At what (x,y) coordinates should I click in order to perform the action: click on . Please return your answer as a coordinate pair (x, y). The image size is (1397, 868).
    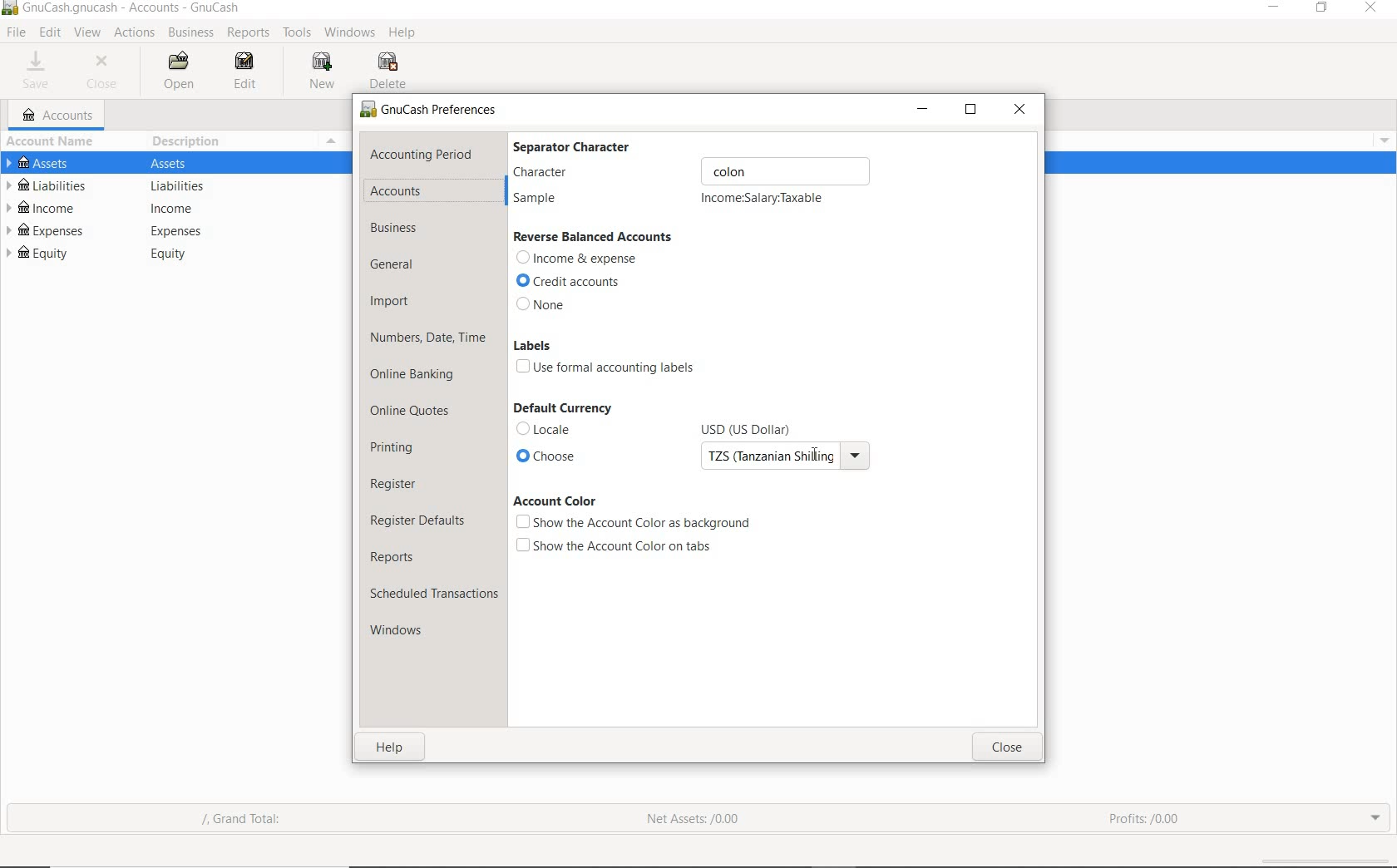
    Looking at the image, I should click on (1380, 138).